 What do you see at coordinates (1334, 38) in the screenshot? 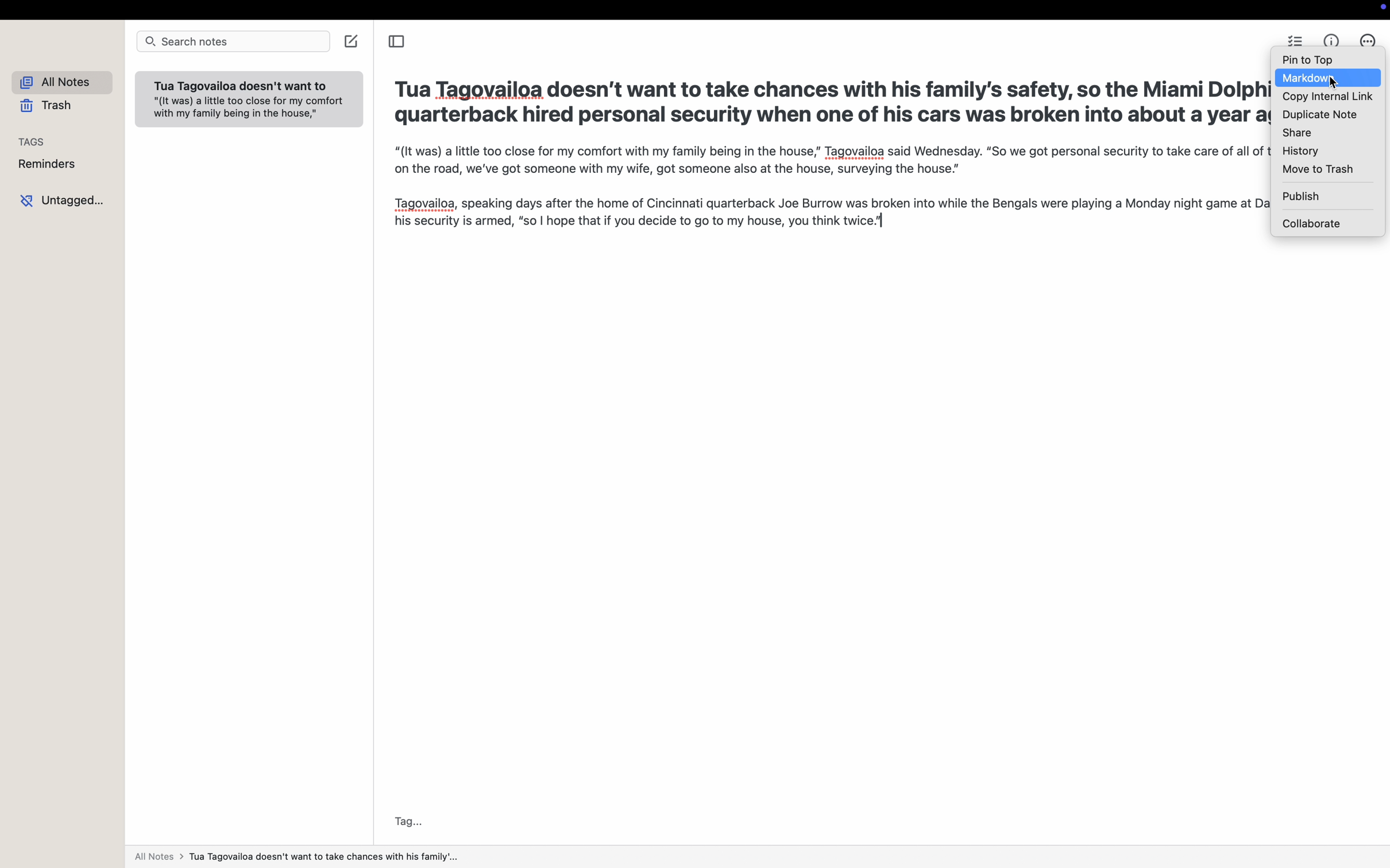
I see `metrics` at bounding box center [1334, 38].